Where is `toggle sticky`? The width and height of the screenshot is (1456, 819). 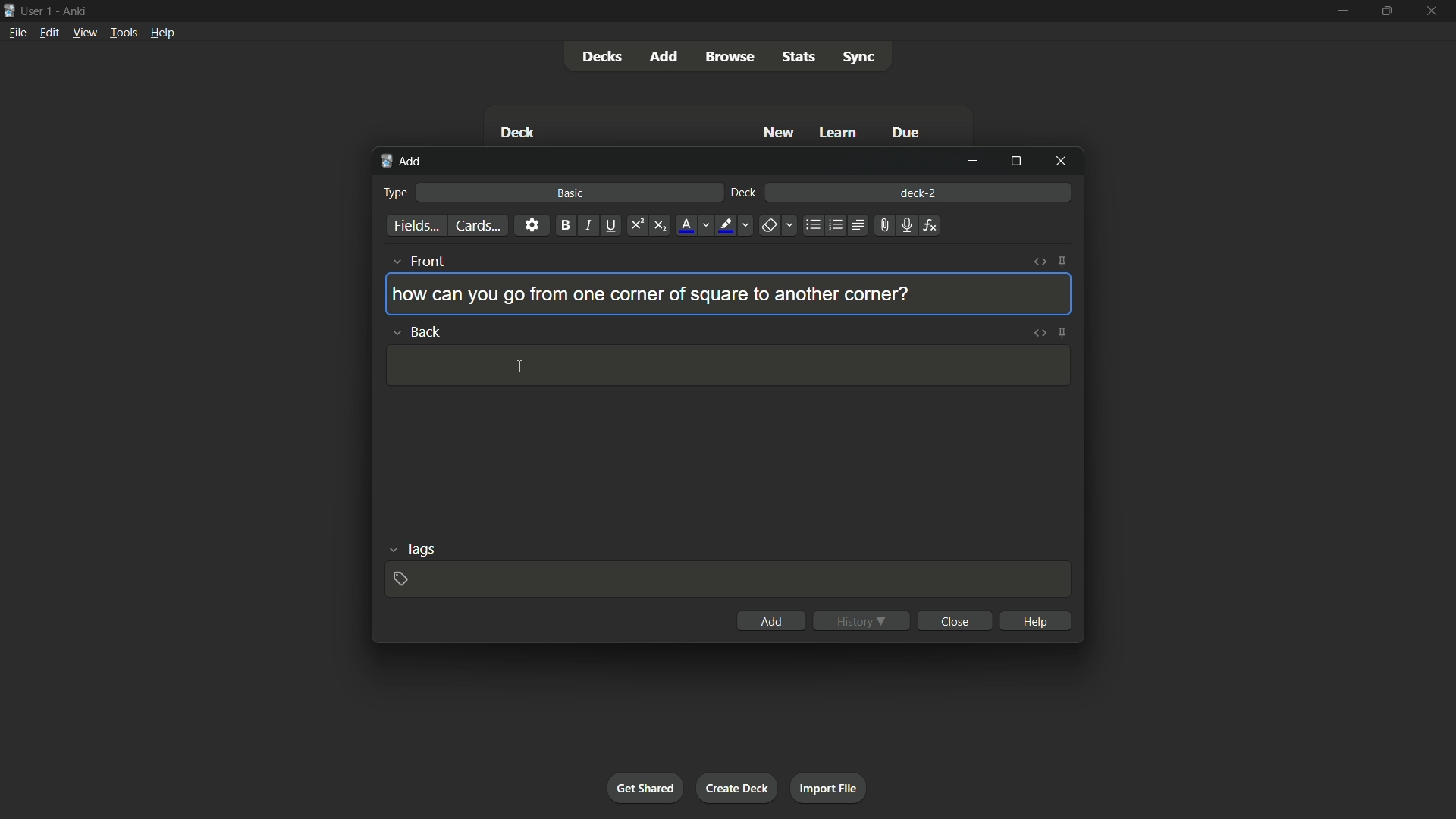 toggle sticky is located at coordinates (1062, 332).